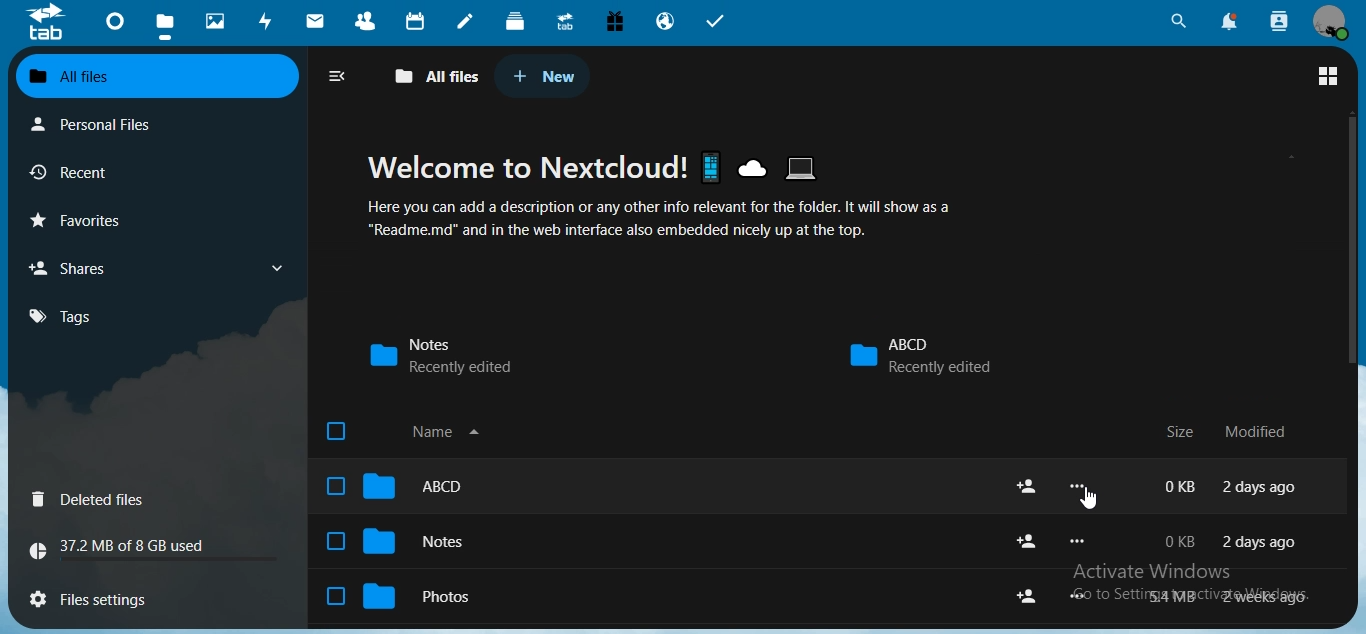  What do you see at coordinates (417, 20) in the screenshot?
I see `calendar` at bounding box center [417, 20].